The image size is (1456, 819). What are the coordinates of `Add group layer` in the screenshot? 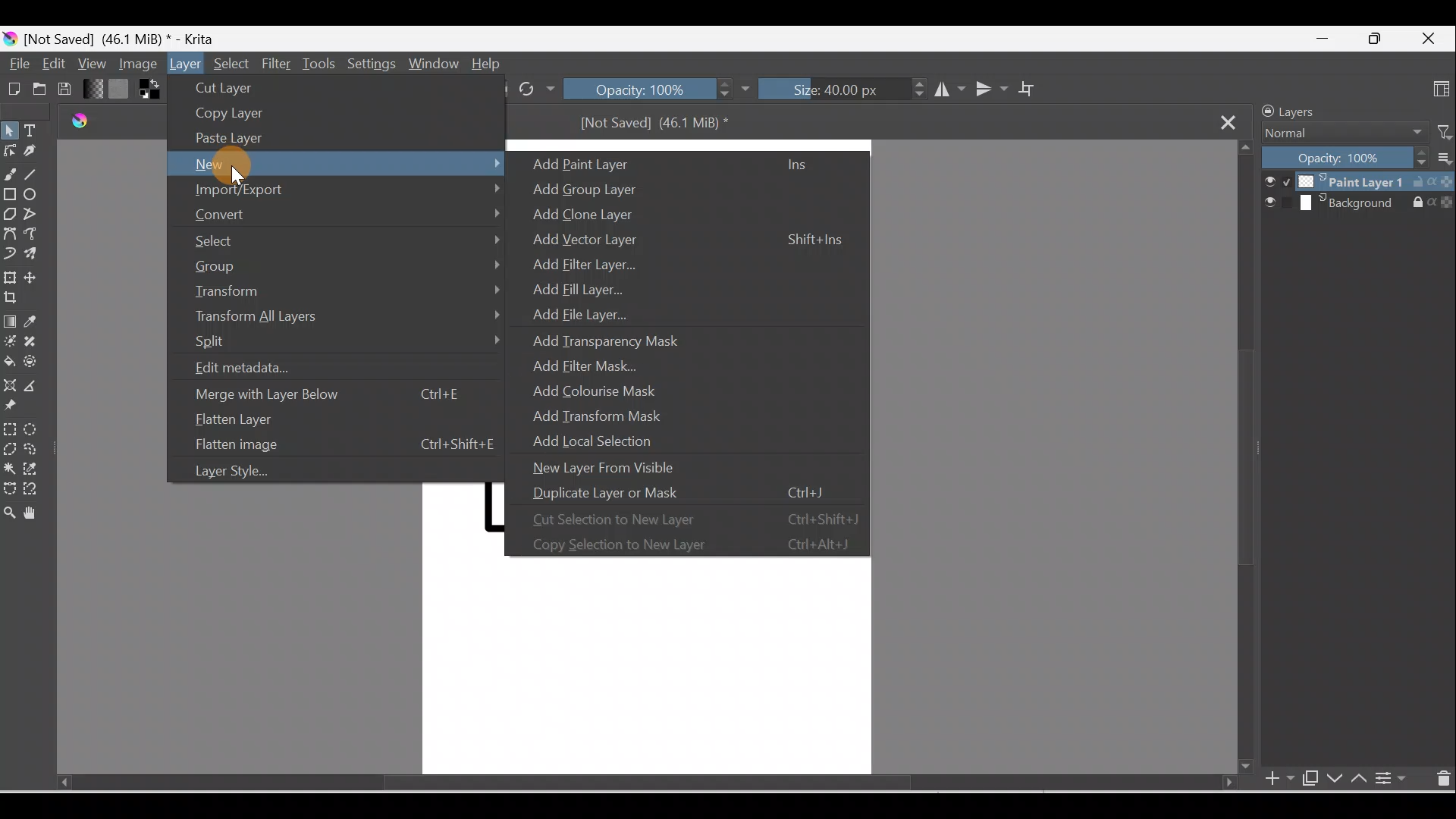 It's located at (611, 187).